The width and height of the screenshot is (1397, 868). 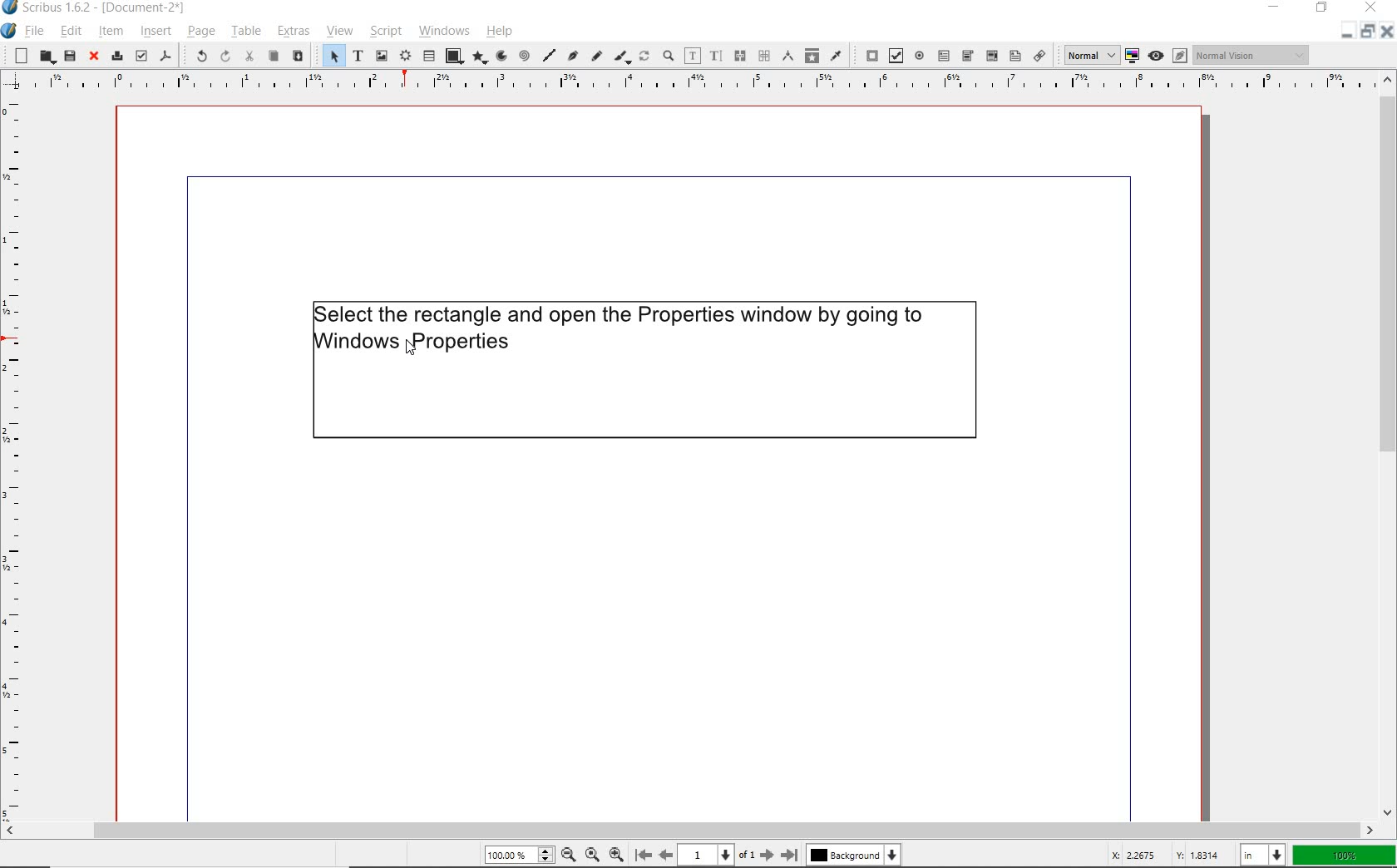 What do you see at coordinates (45, 56) in the screenshot?
I see `open` at bounding box center [45, 56].